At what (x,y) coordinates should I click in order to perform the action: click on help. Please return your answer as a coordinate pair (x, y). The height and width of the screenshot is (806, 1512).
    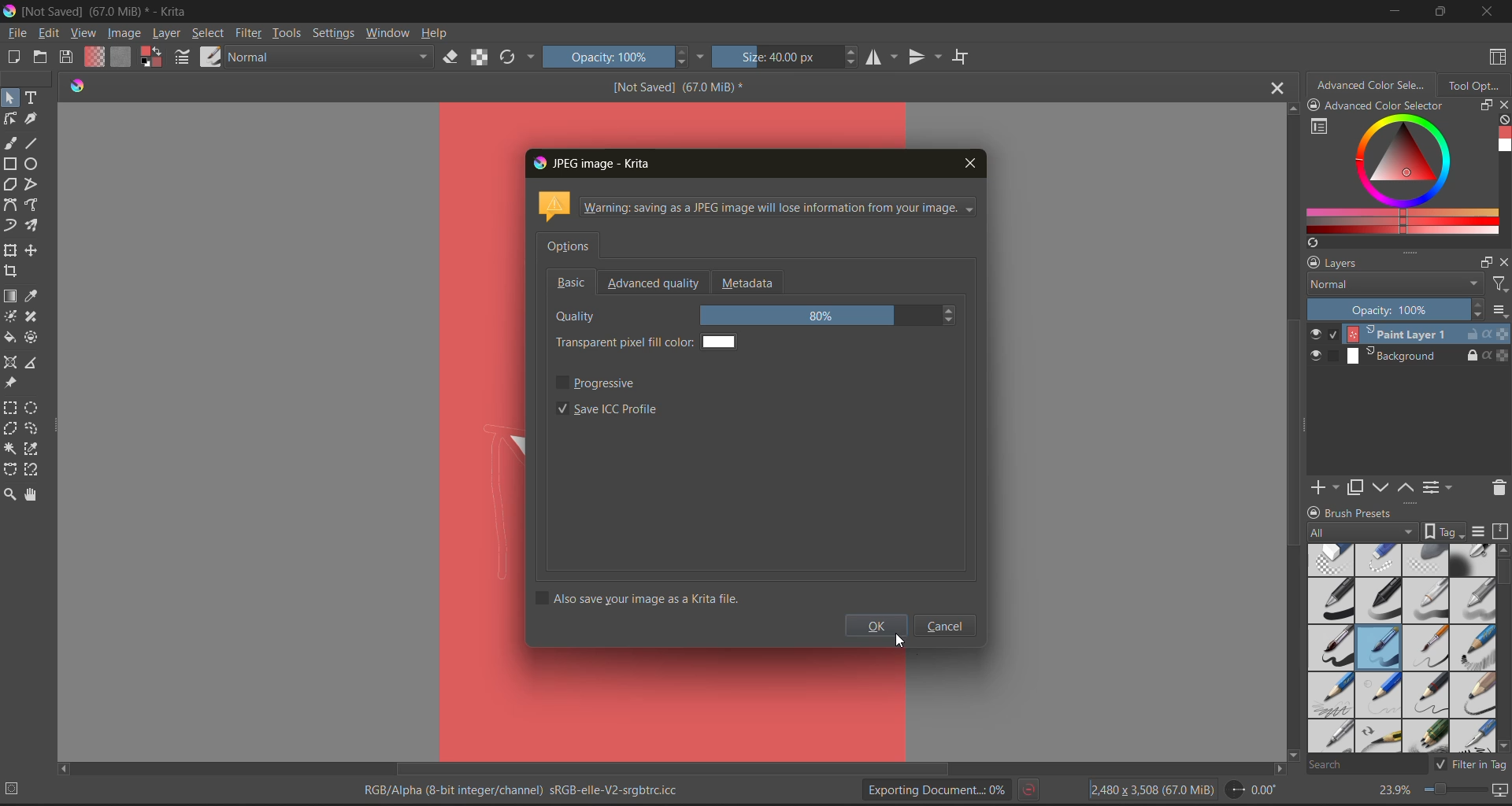
    Looking at the image, I should click on (439, 35).